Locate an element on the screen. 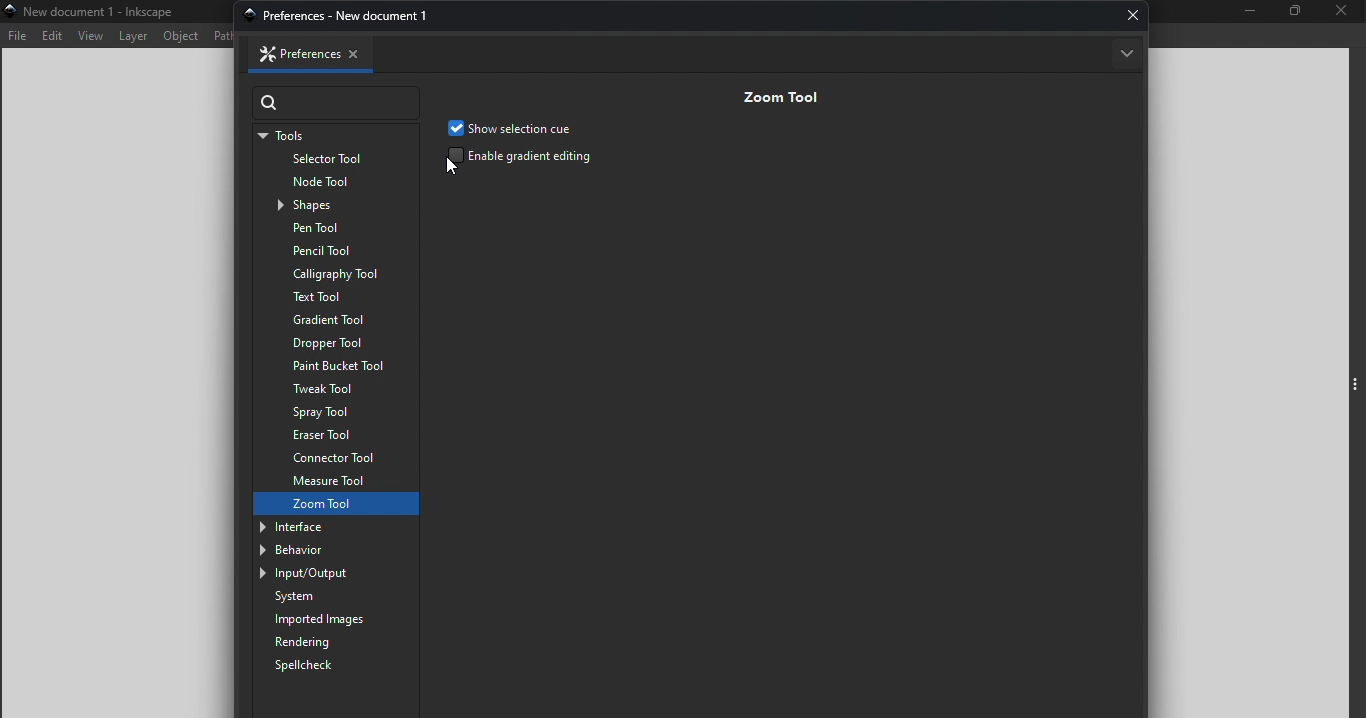  Measure tool is located at coordinates (333, 481).